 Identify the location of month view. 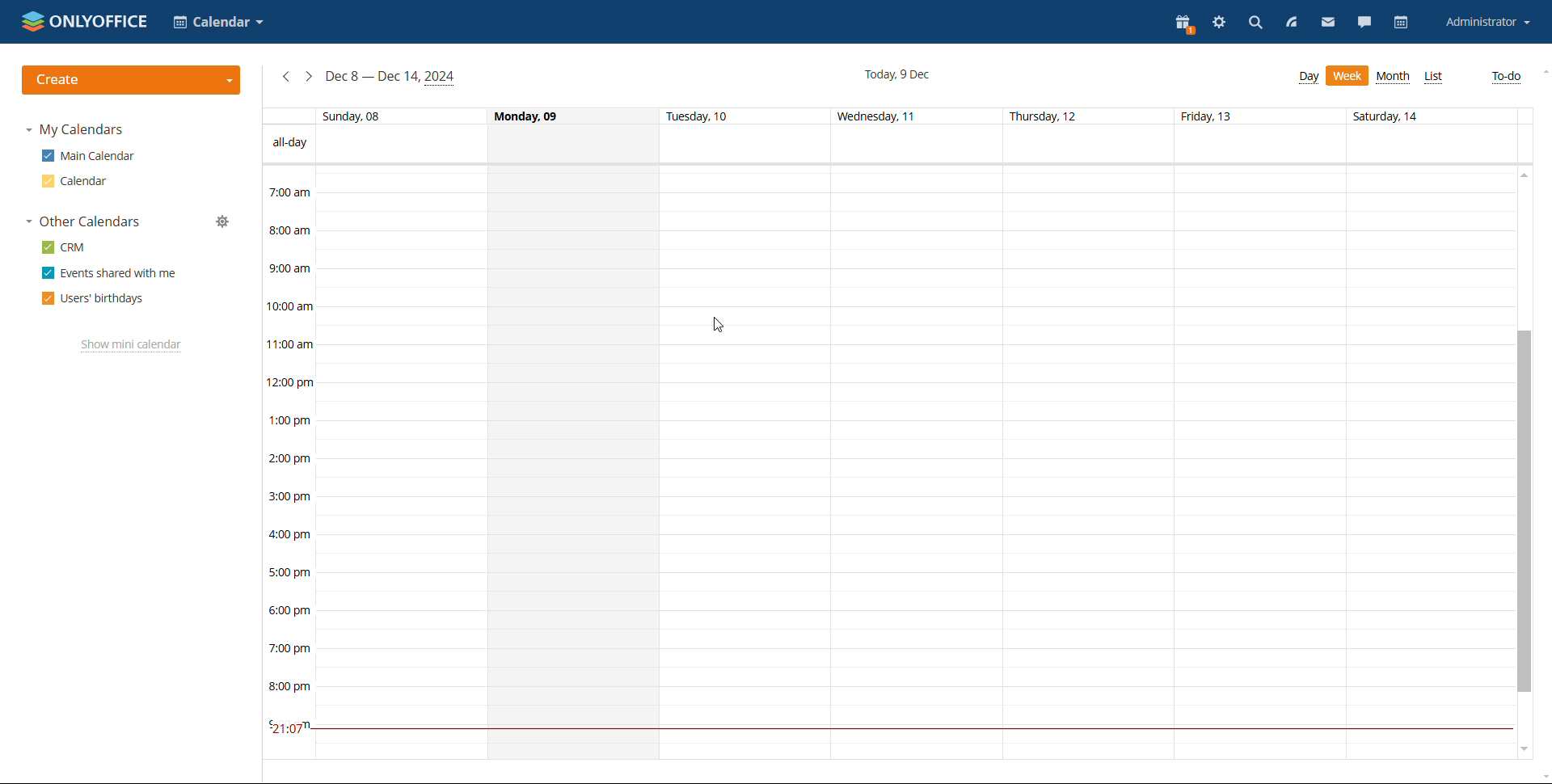
(1395, 78).